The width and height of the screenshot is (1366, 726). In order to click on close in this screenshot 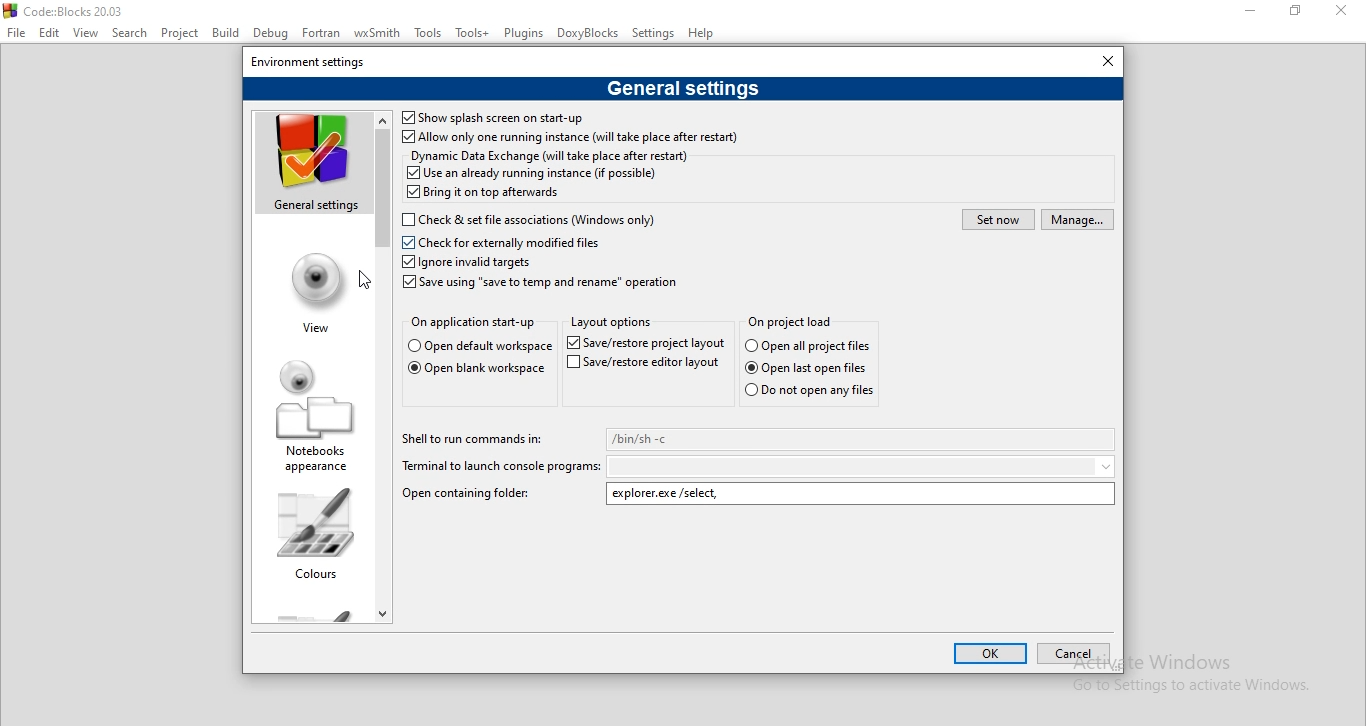, I will do `click(1346, 14)`.